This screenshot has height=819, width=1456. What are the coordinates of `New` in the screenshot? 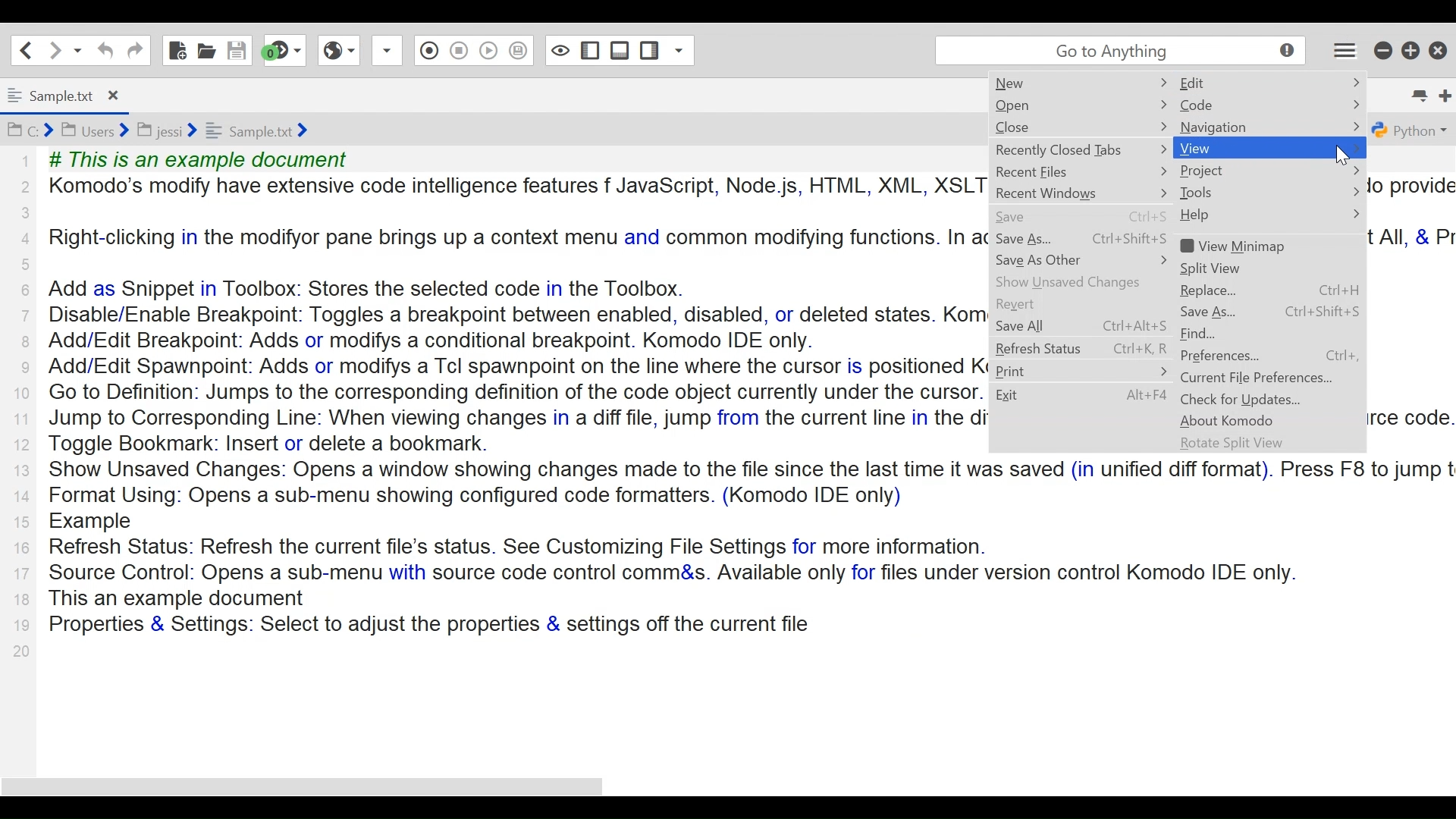 It's located at (1021, 83).